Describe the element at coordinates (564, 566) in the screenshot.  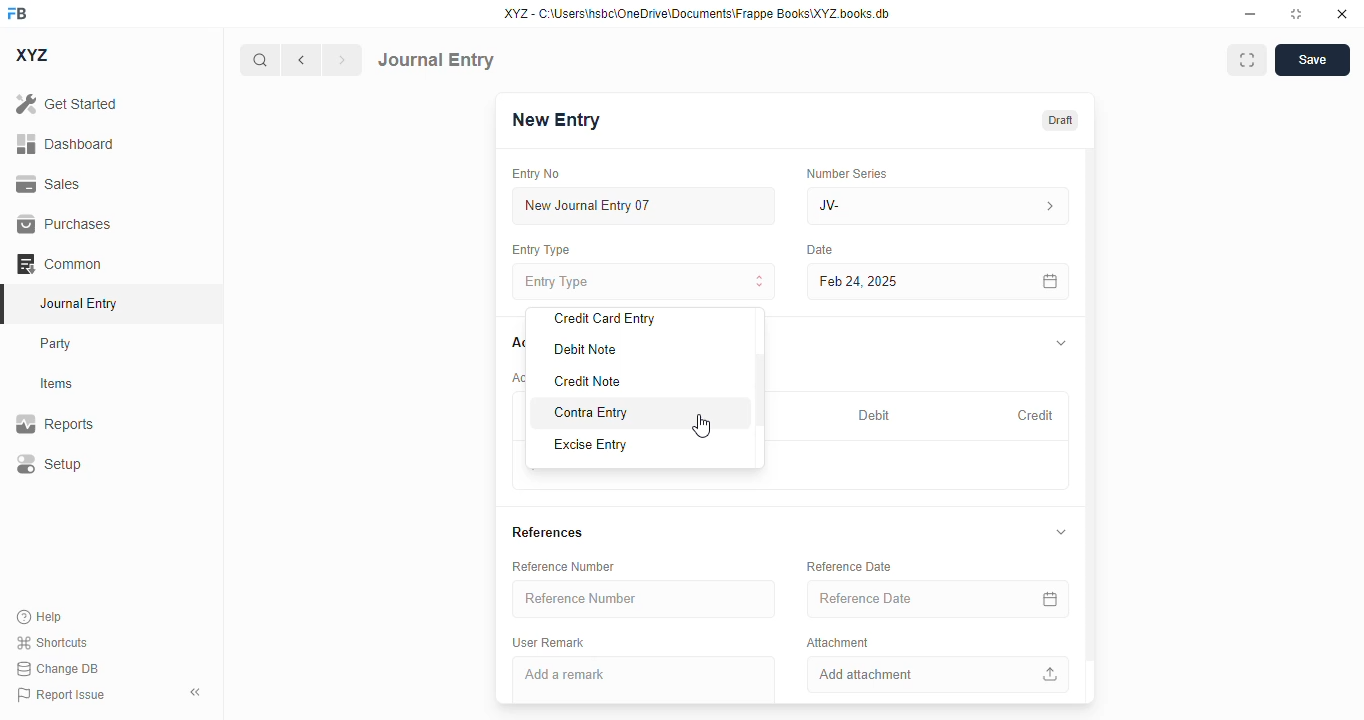
I see `reference number` at that location.